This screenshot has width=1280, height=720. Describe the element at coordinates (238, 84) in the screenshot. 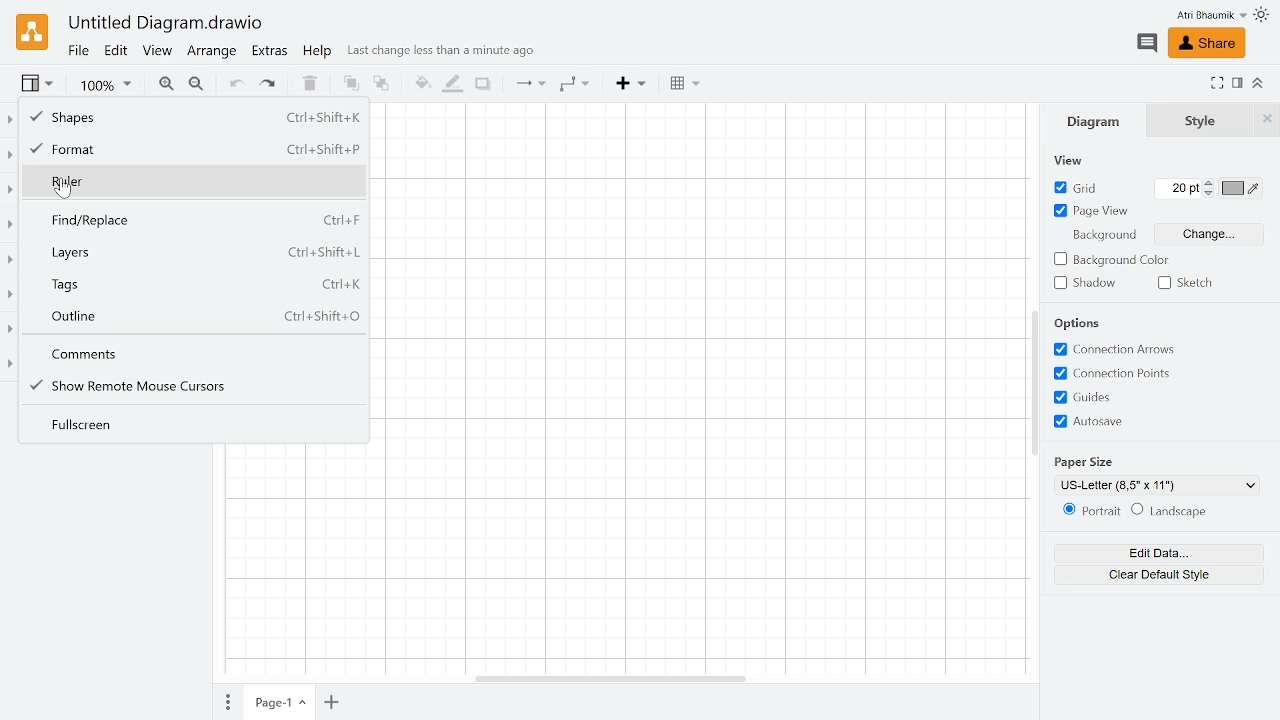

I see `Undo` at that location.